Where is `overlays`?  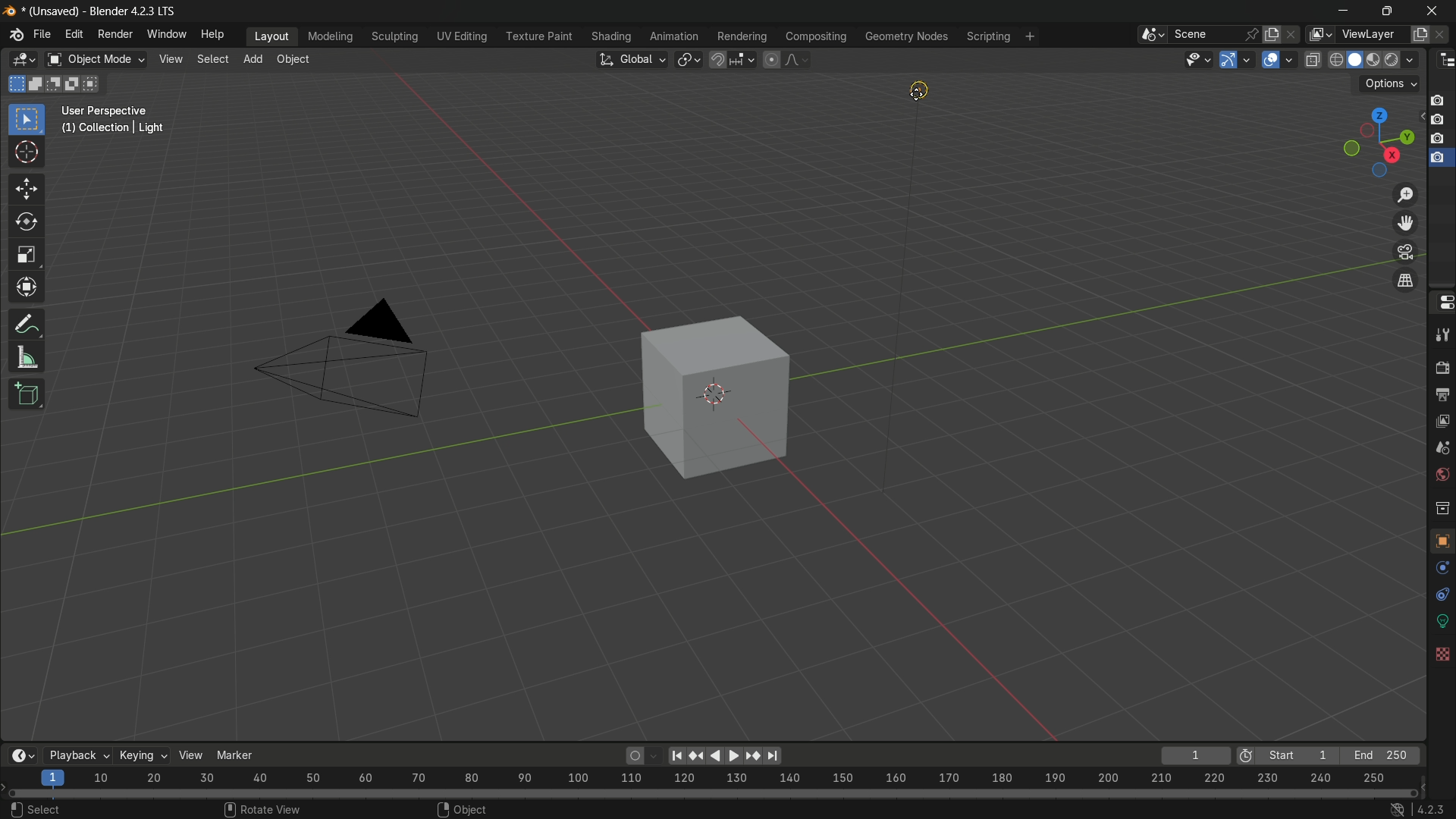 overlays is located at coordinates (1291, 60).